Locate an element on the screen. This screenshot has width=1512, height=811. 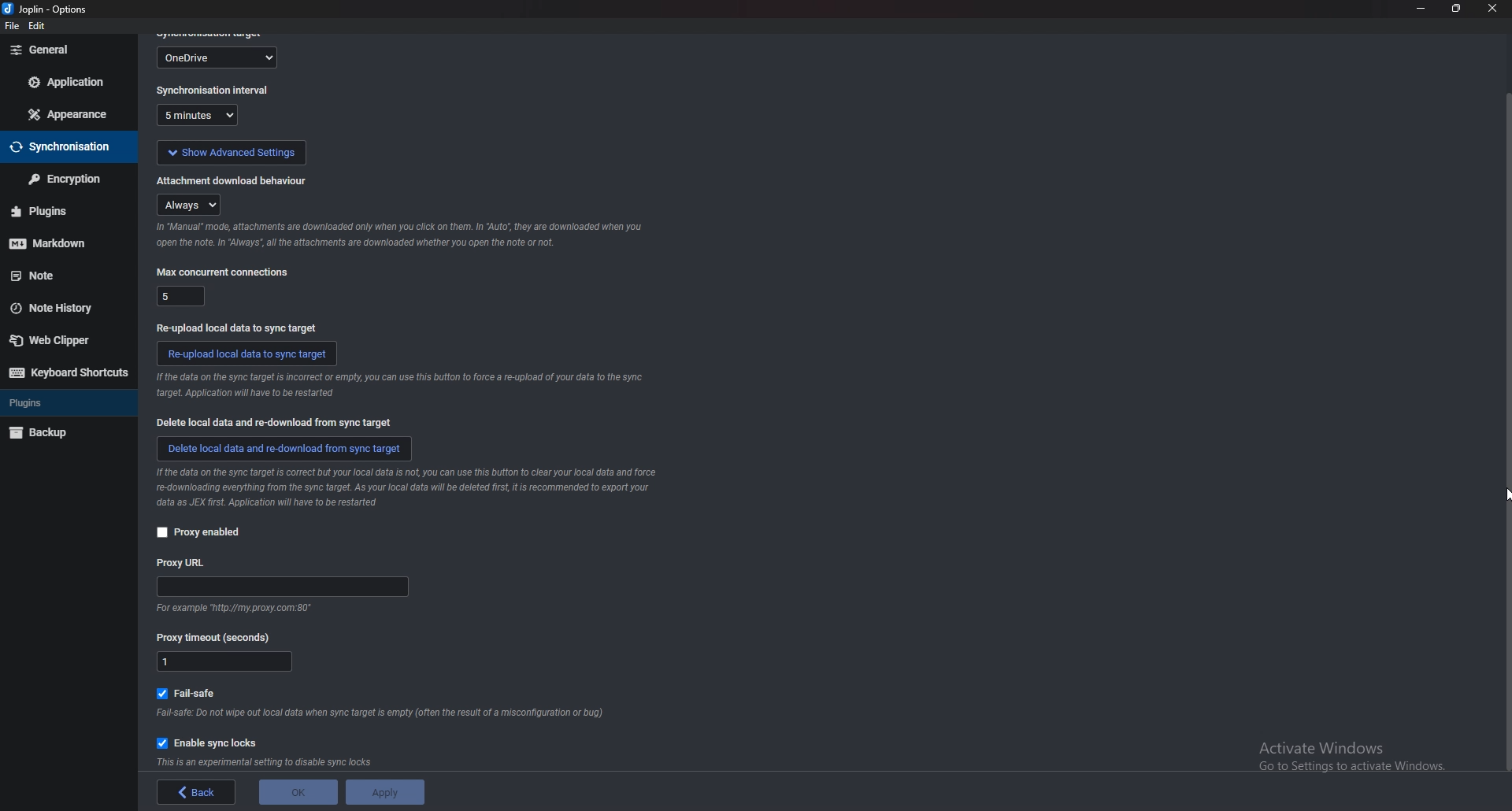
proxy enabled is located at coordinates (198, 532).